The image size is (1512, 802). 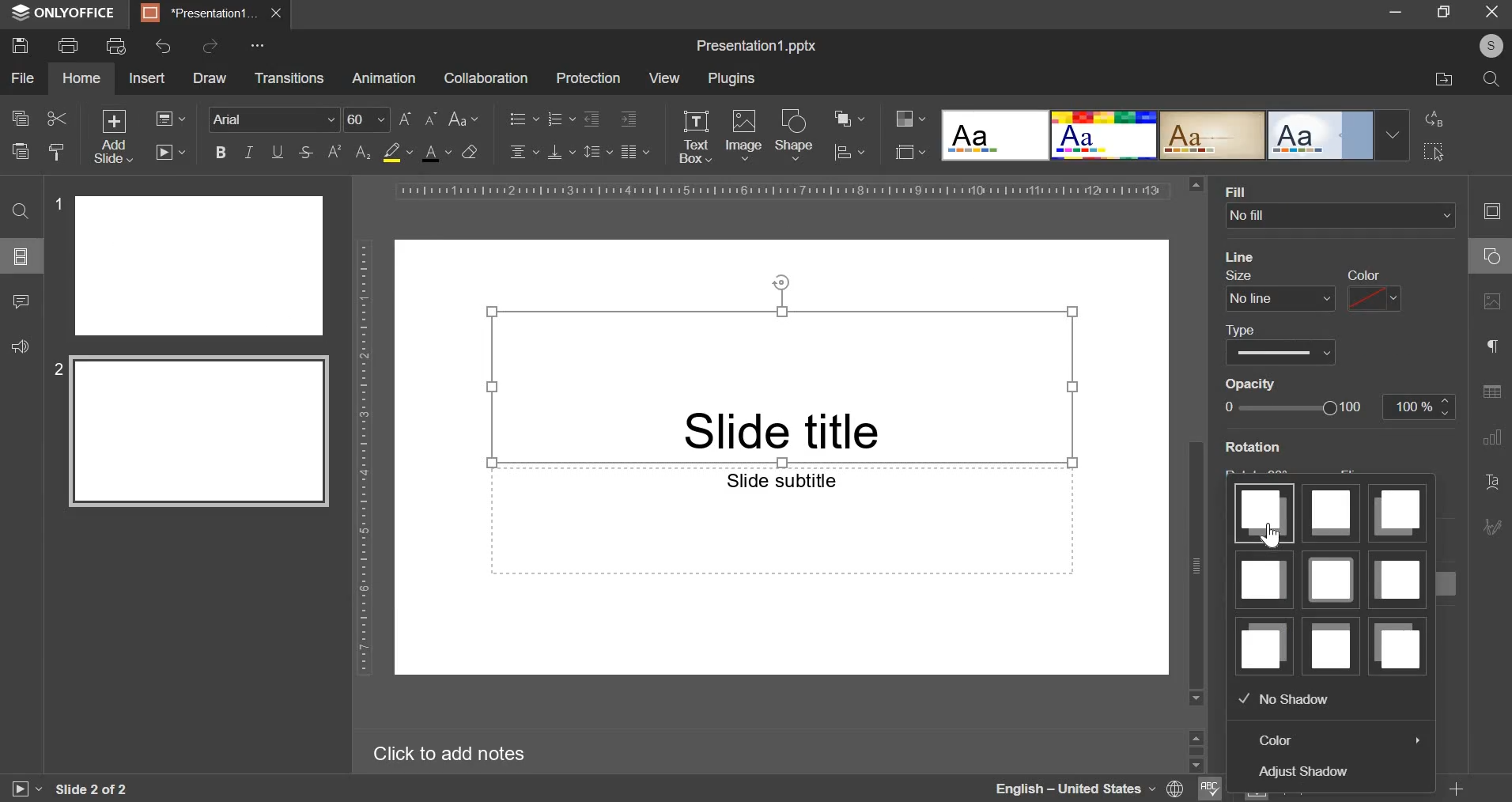 I want to click on slide 1 of 1, so click(x=89, y=789).